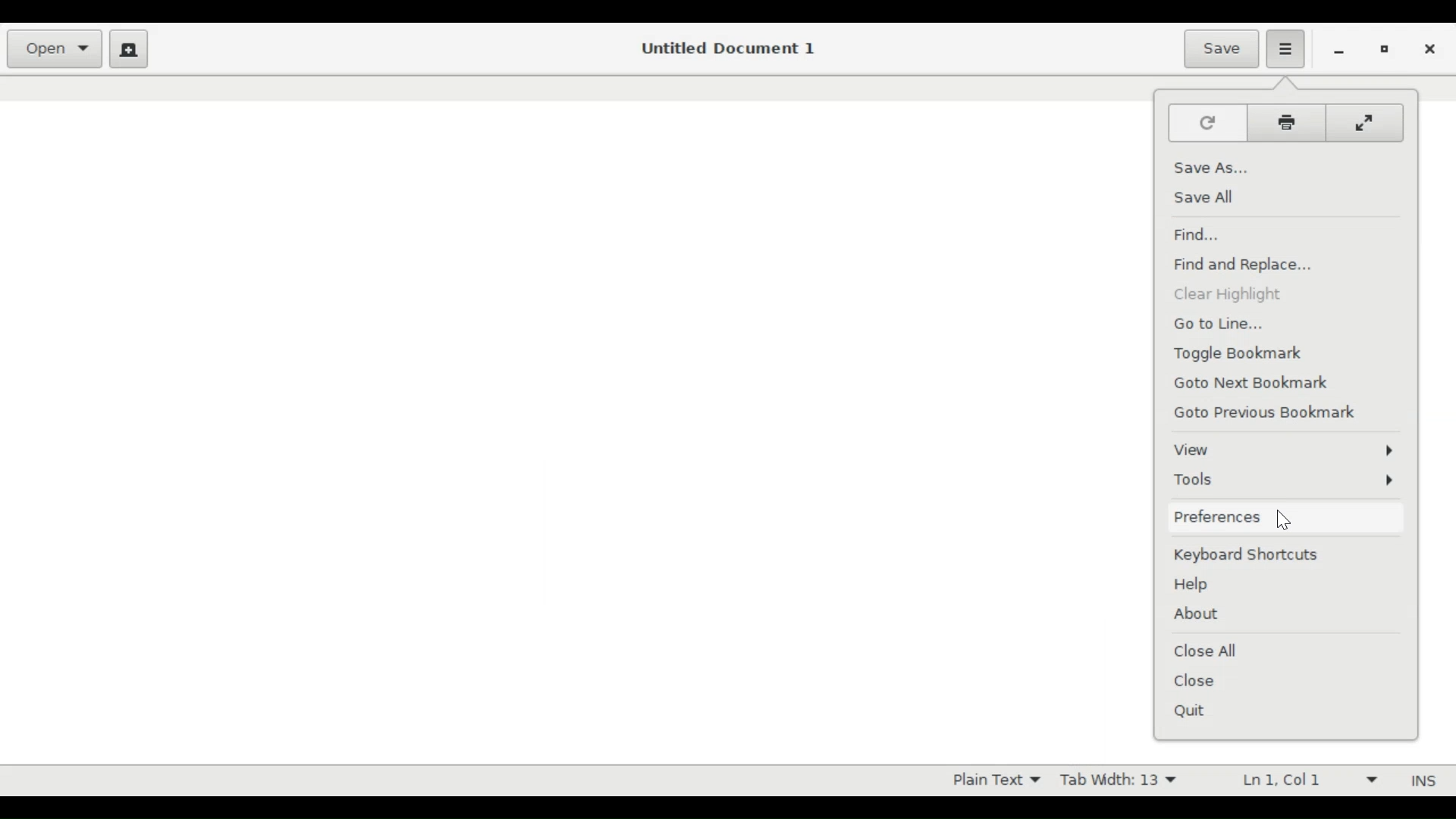 This screenshot has width=1456, height=819. I want to click on Cursor, so click(1282, 519).